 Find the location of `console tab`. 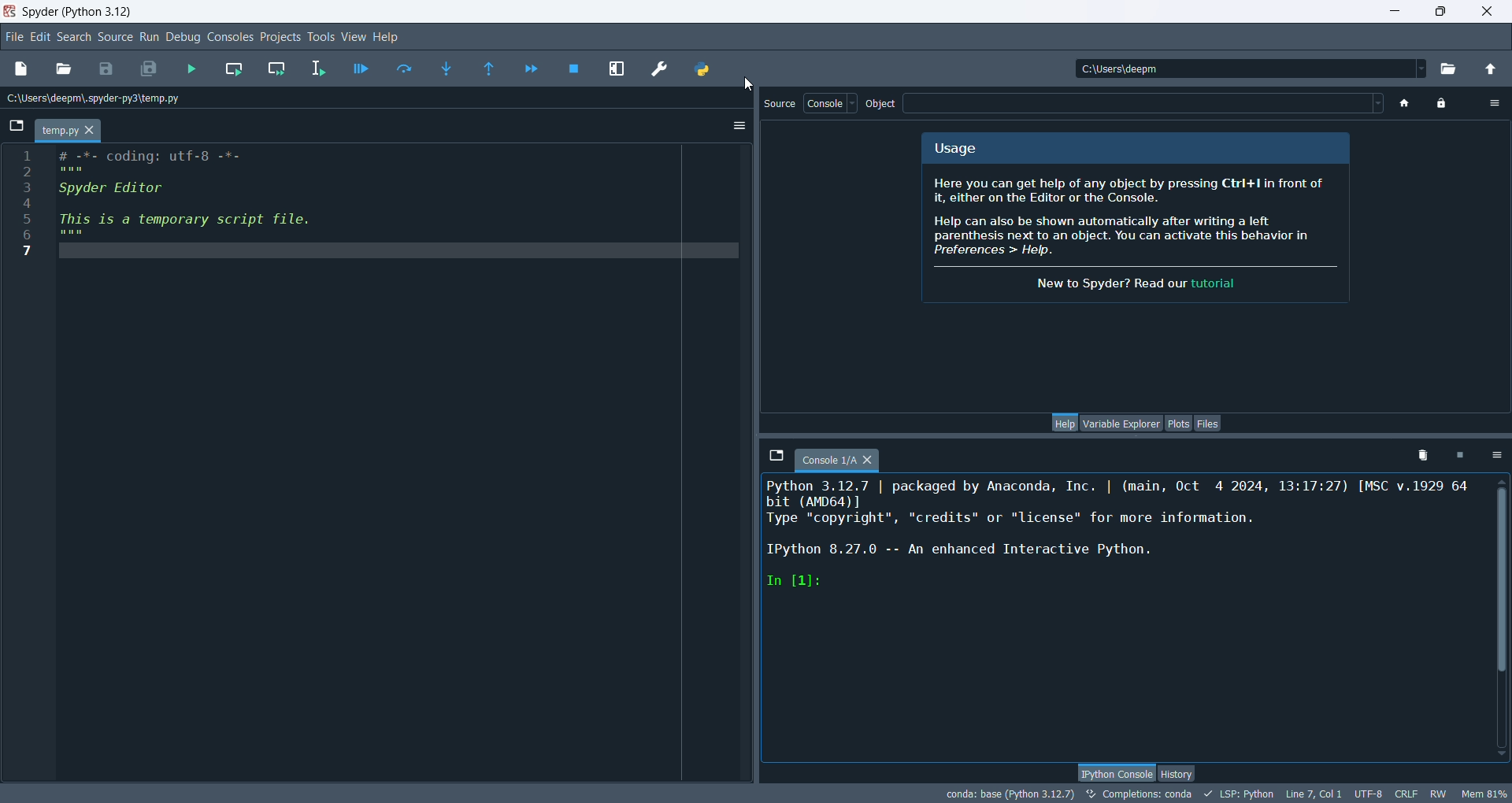

console tab is located at coordinates (838, 461).